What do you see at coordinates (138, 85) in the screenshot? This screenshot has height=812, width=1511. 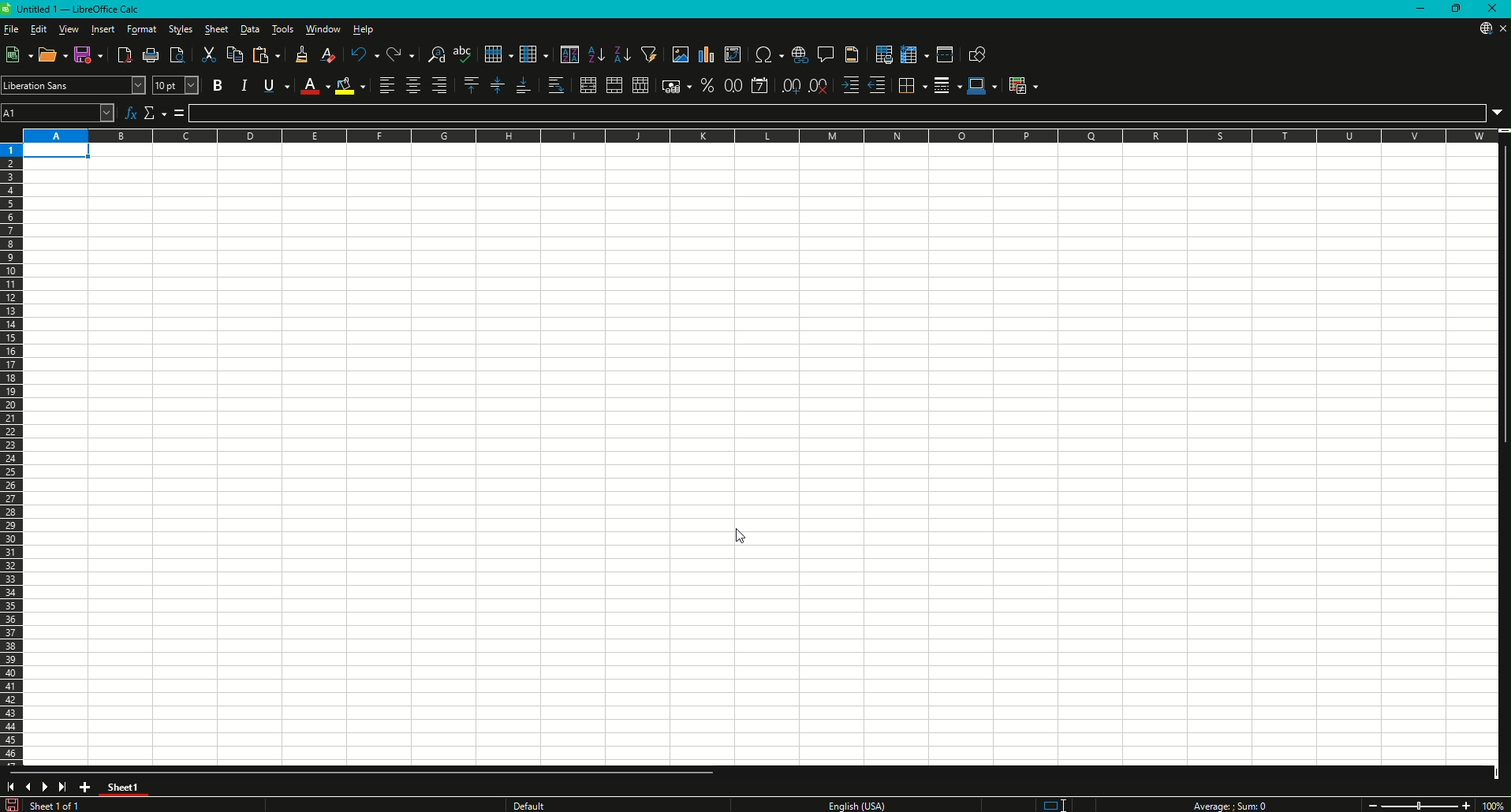 I see `Font Name` at bounding box center [138, 85].